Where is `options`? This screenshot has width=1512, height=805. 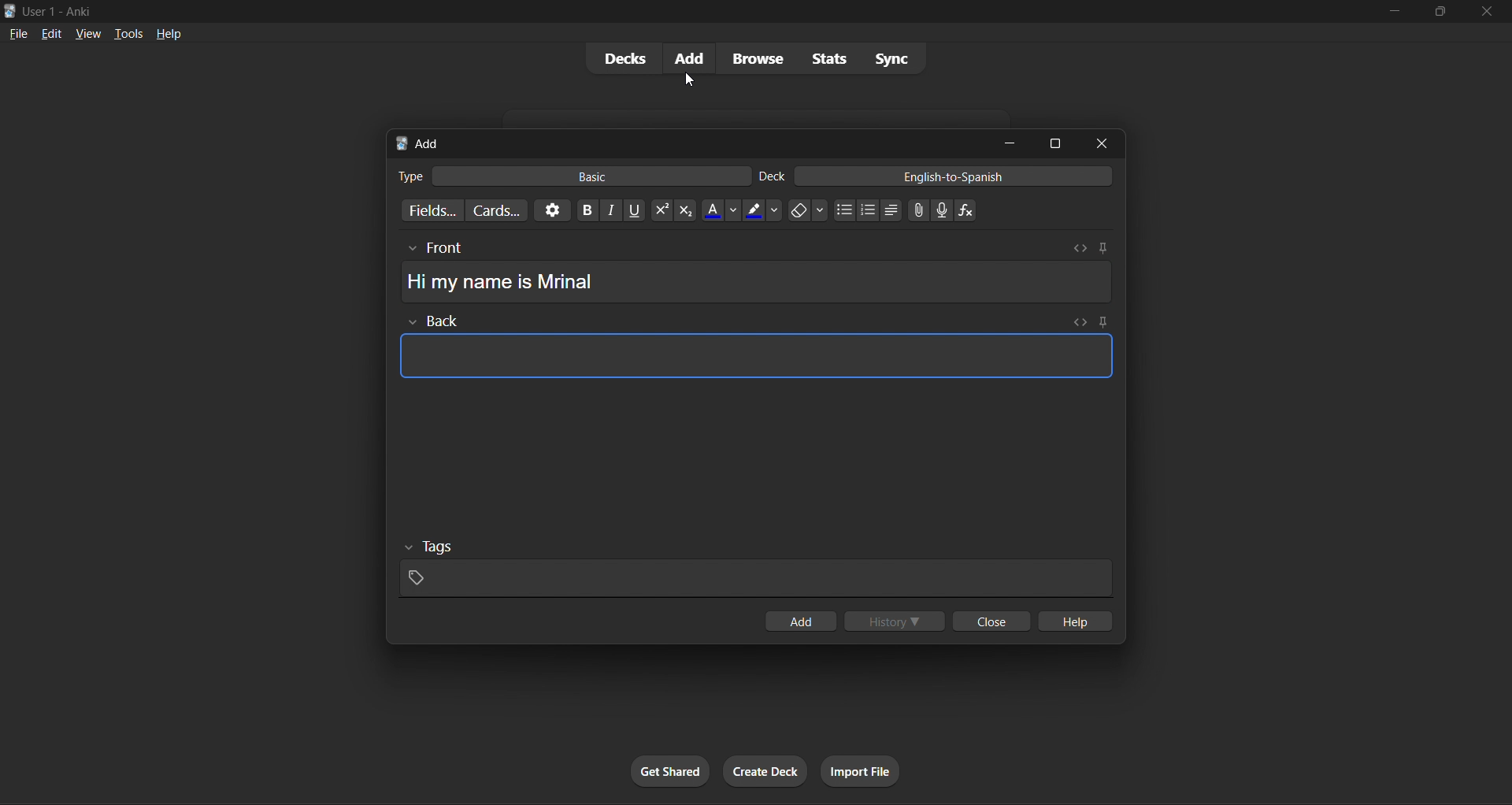
options is located at coordinates (548, 212).